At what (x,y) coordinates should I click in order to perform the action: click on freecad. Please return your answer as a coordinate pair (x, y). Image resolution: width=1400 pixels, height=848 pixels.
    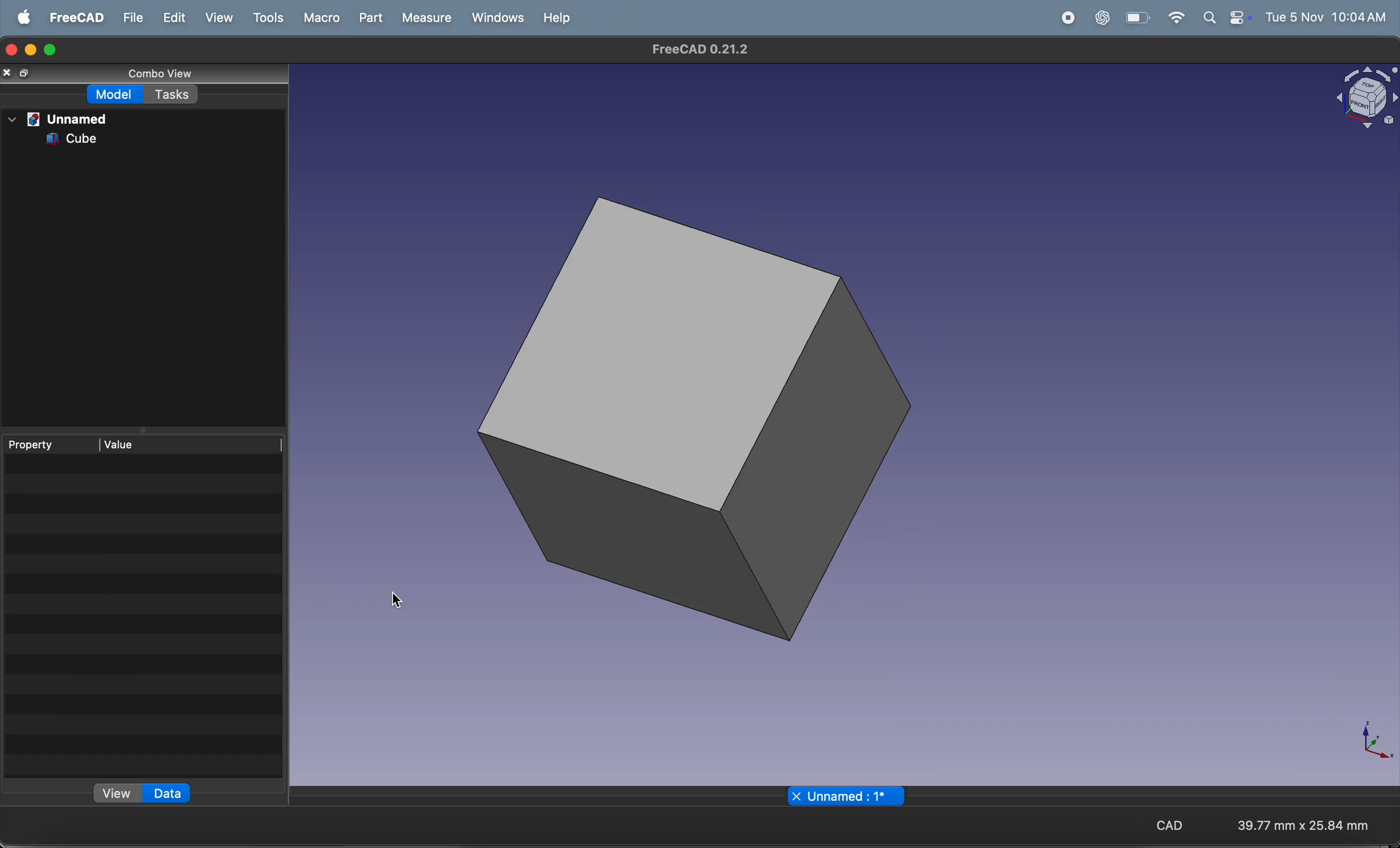
    Looking at the image, I should click on (76, 17).